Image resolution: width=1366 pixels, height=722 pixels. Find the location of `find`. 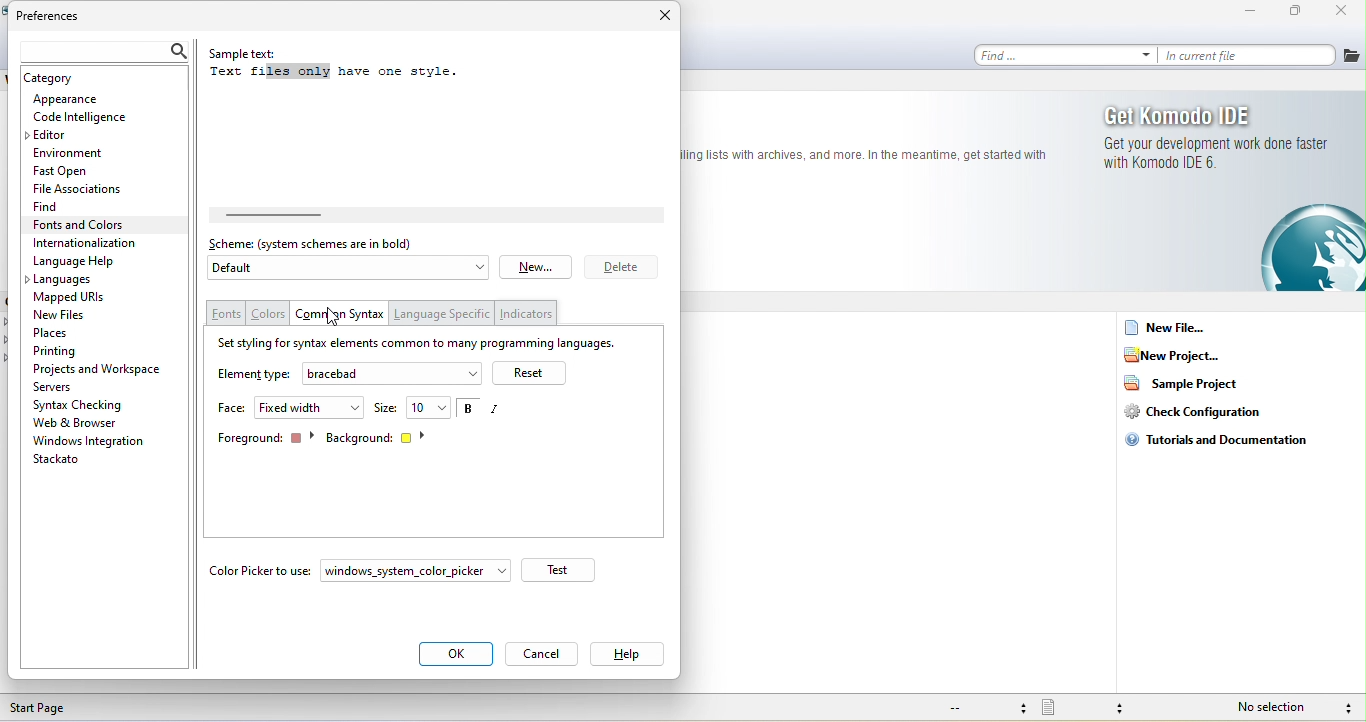

find is located at coordinates (1068, 56).